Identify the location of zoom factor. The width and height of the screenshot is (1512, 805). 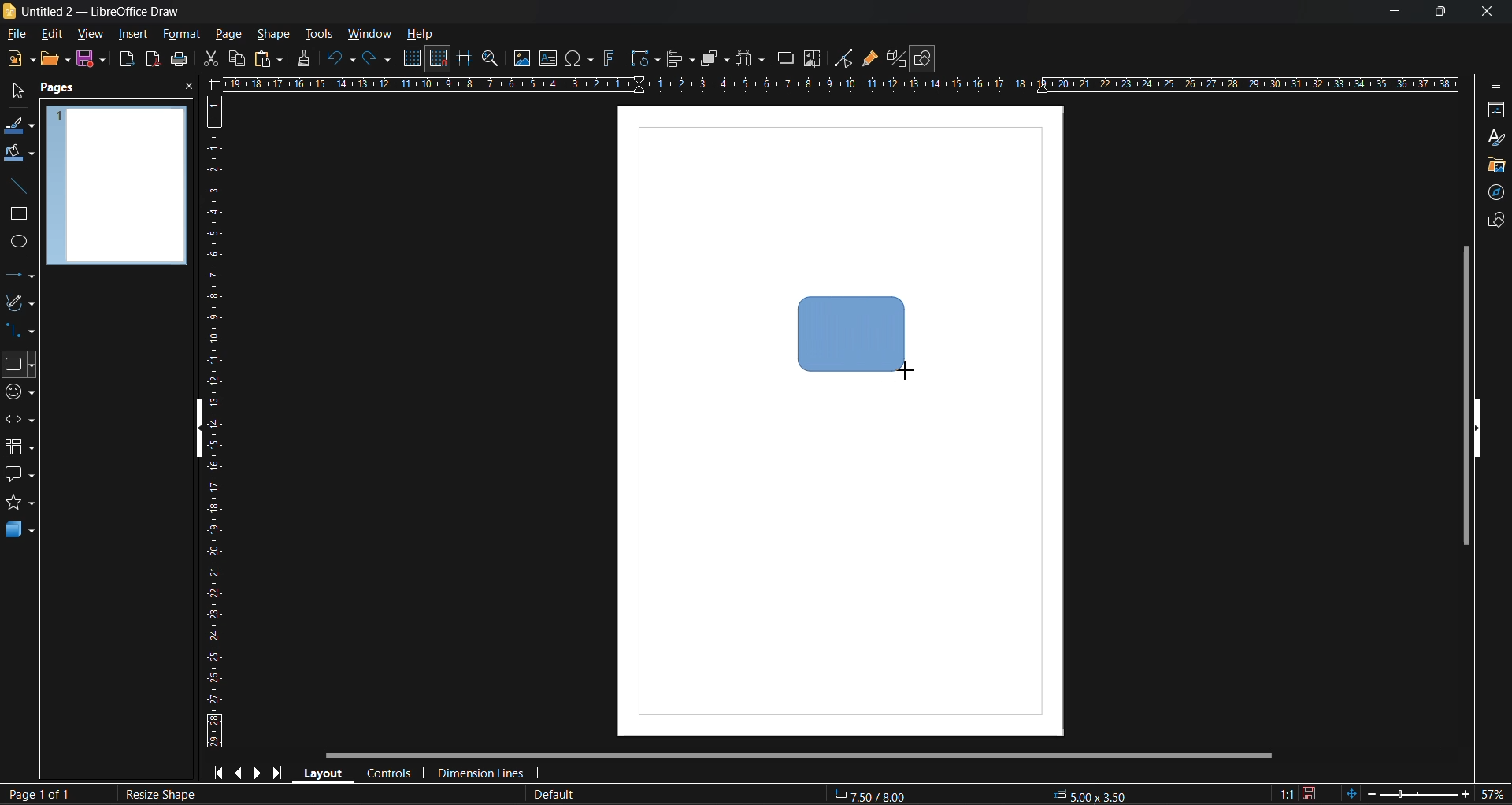
(1492, 793).